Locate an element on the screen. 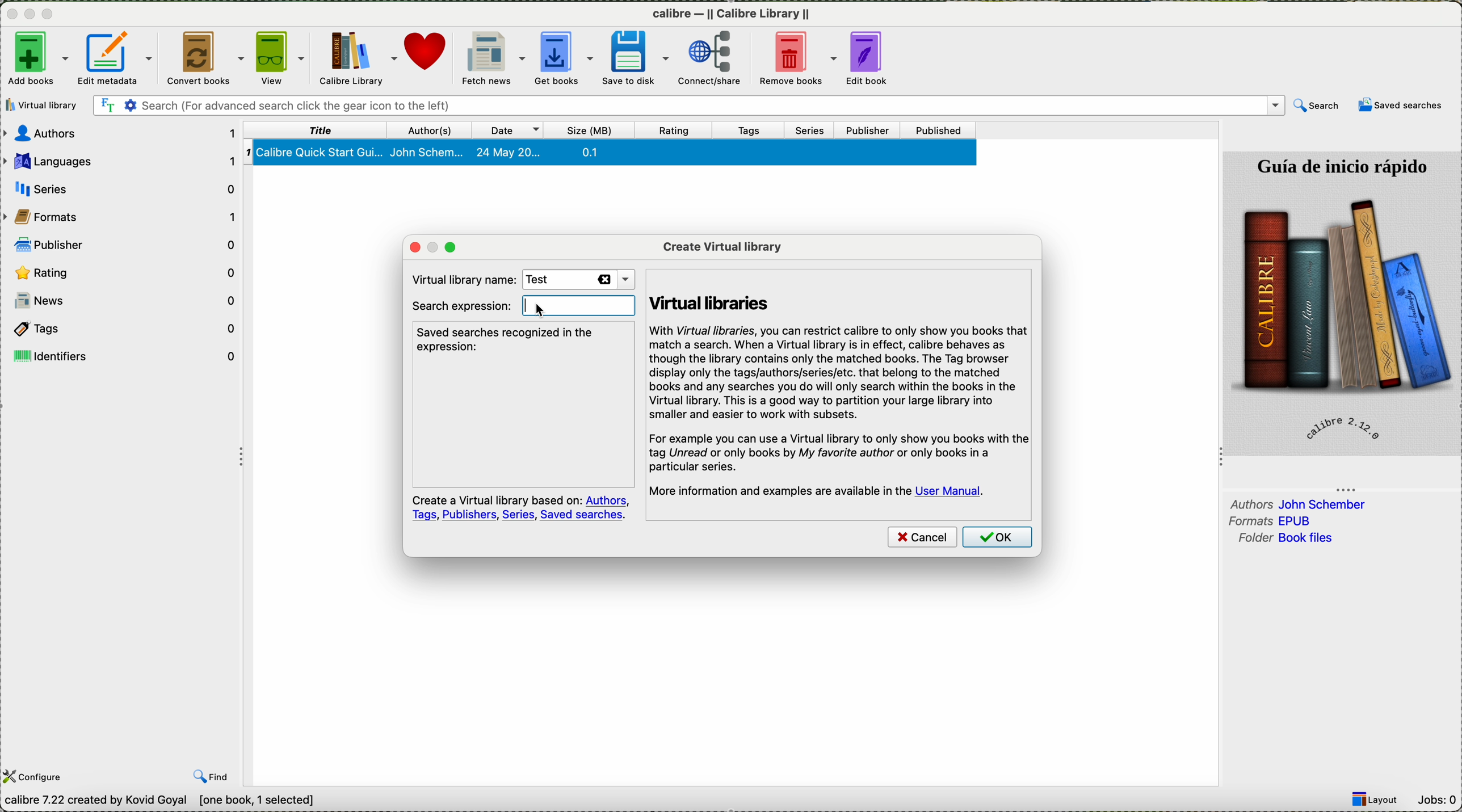 The image size is (1462, 812). close is located at coordinates (10, 16).